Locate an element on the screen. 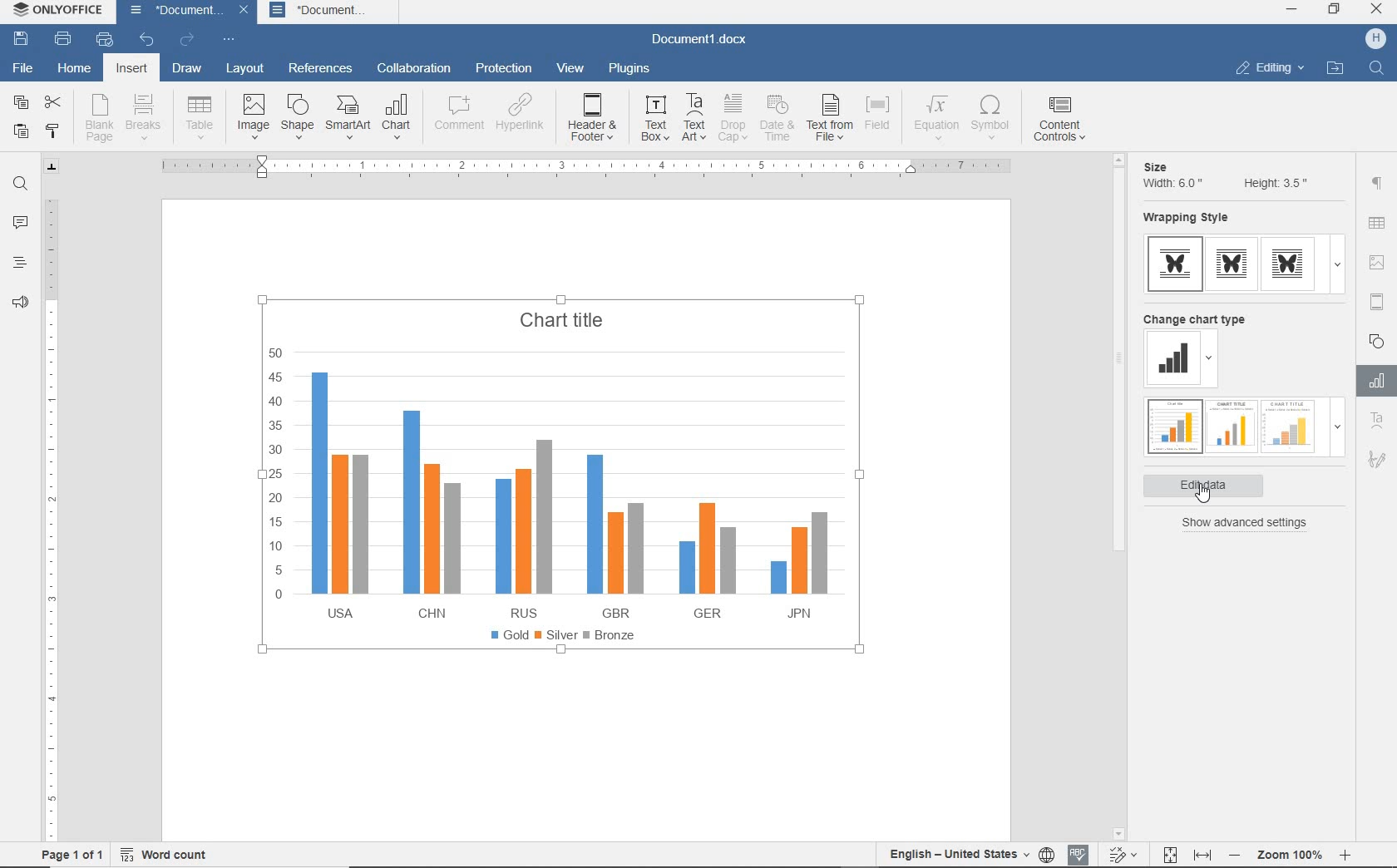  table is located at coordinates (200, 117).